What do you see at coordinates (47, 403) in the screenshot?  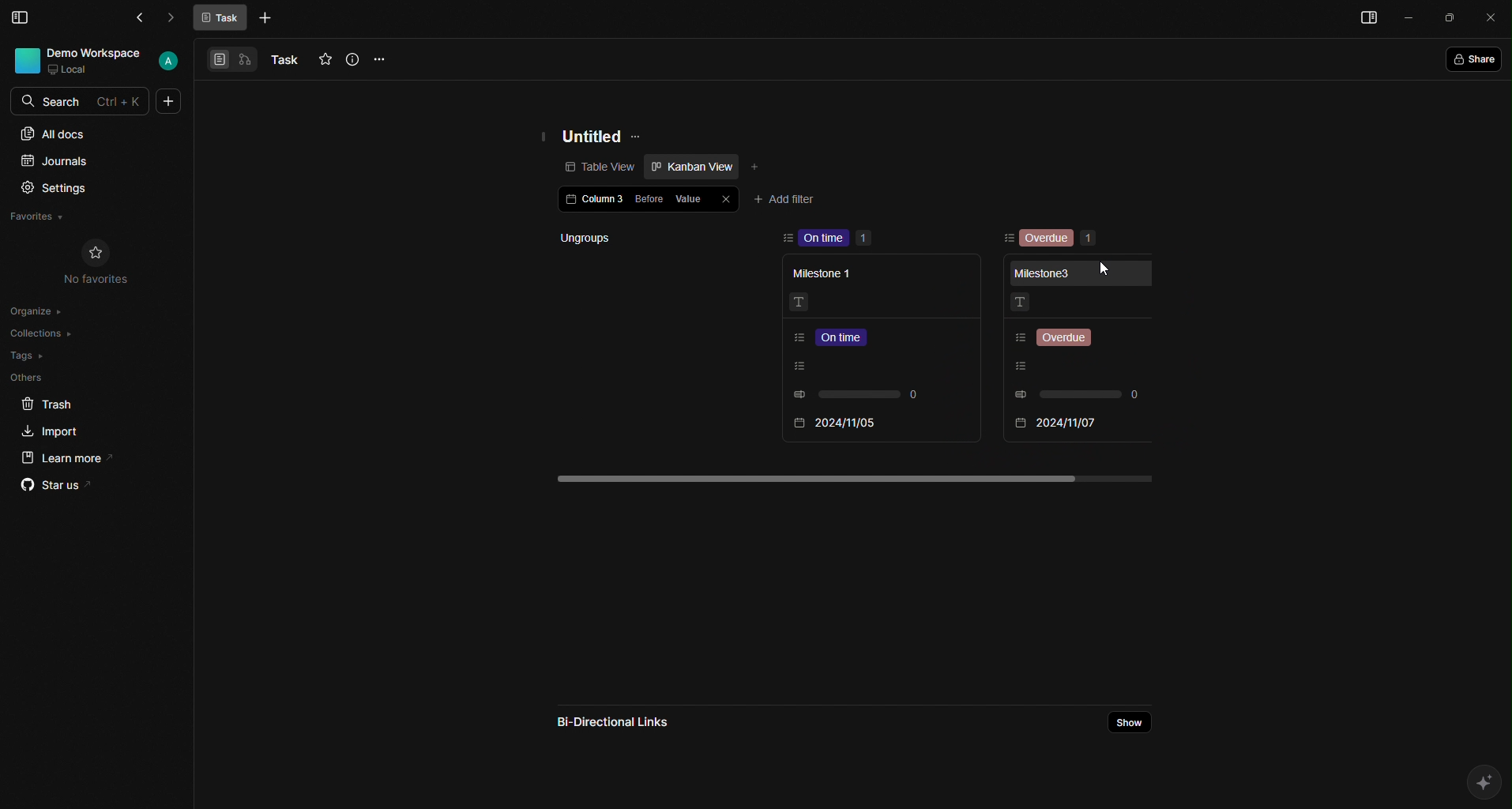 I see `Trash` at bounding box center [47, 403].